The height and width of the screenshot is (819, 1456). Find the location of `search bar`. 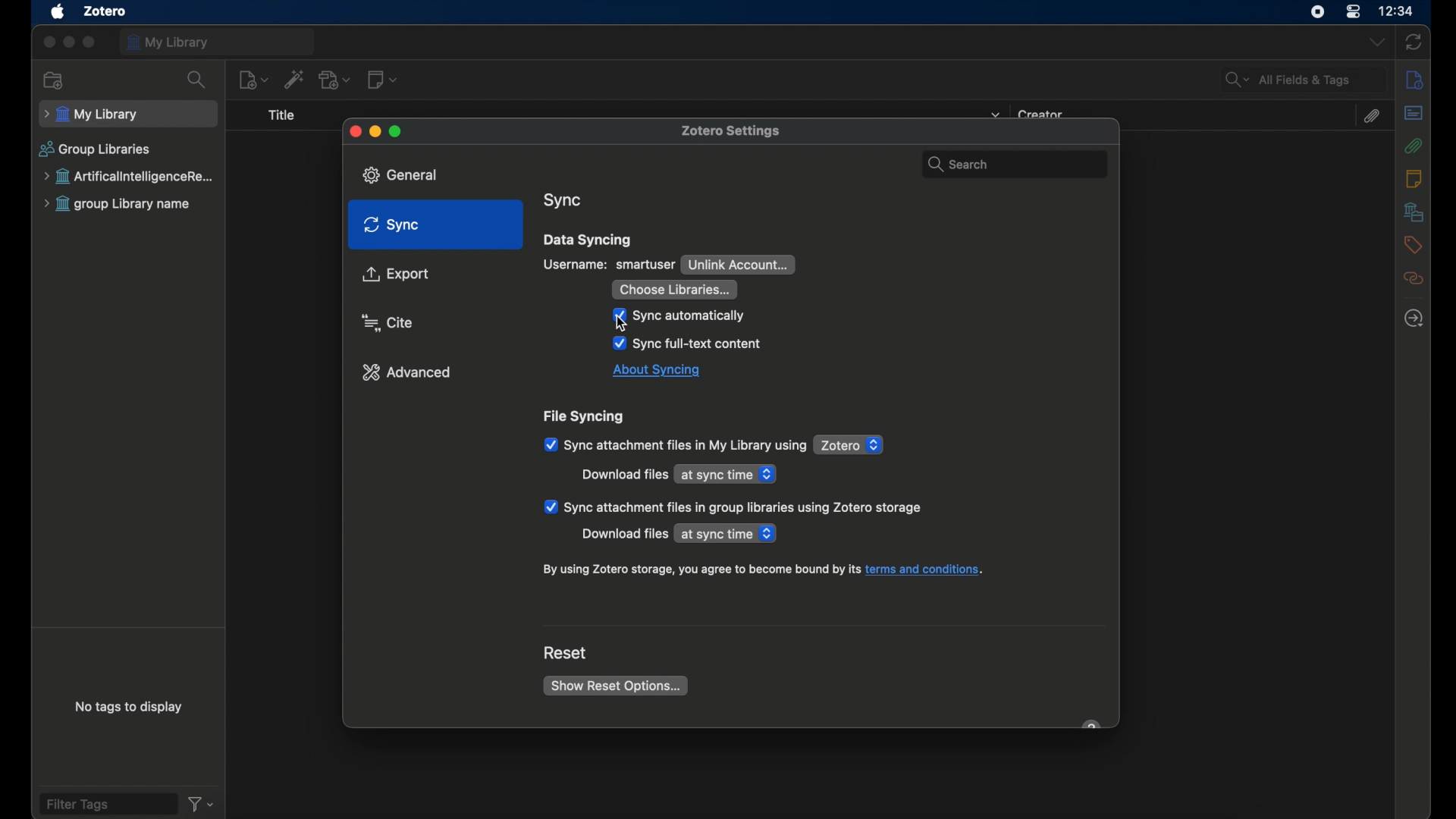

search bar is located at coordinates (1010, 161).